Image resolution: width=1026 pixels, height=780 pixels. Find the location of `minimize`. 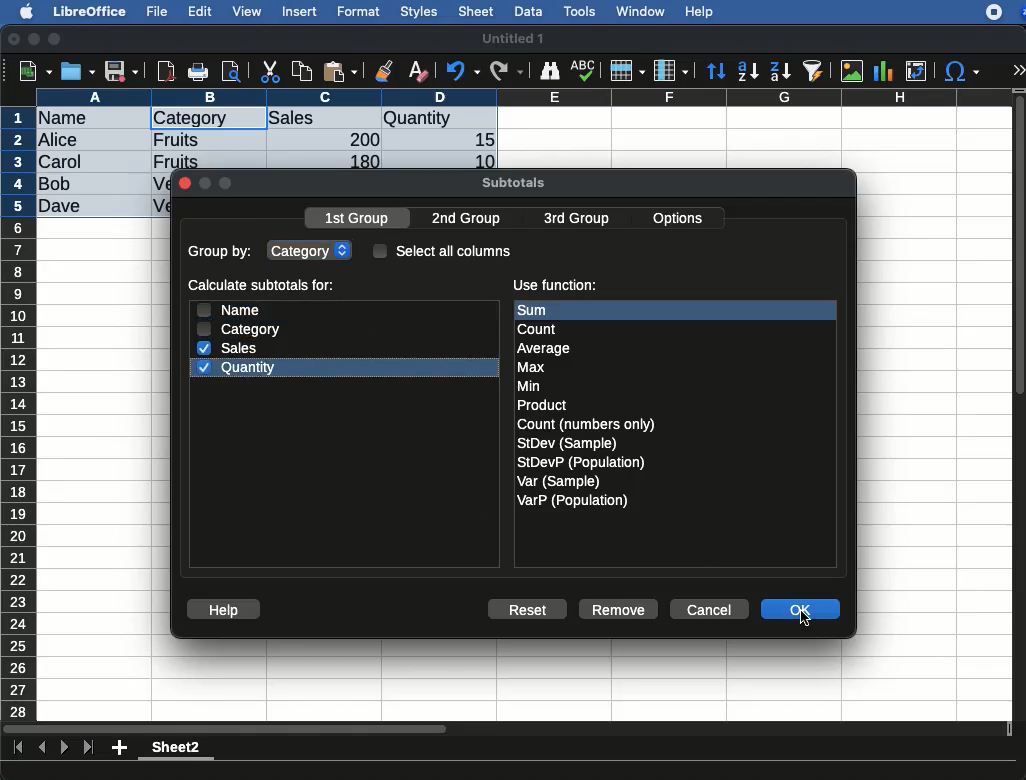

minimize is located at coordinates (35, 39).